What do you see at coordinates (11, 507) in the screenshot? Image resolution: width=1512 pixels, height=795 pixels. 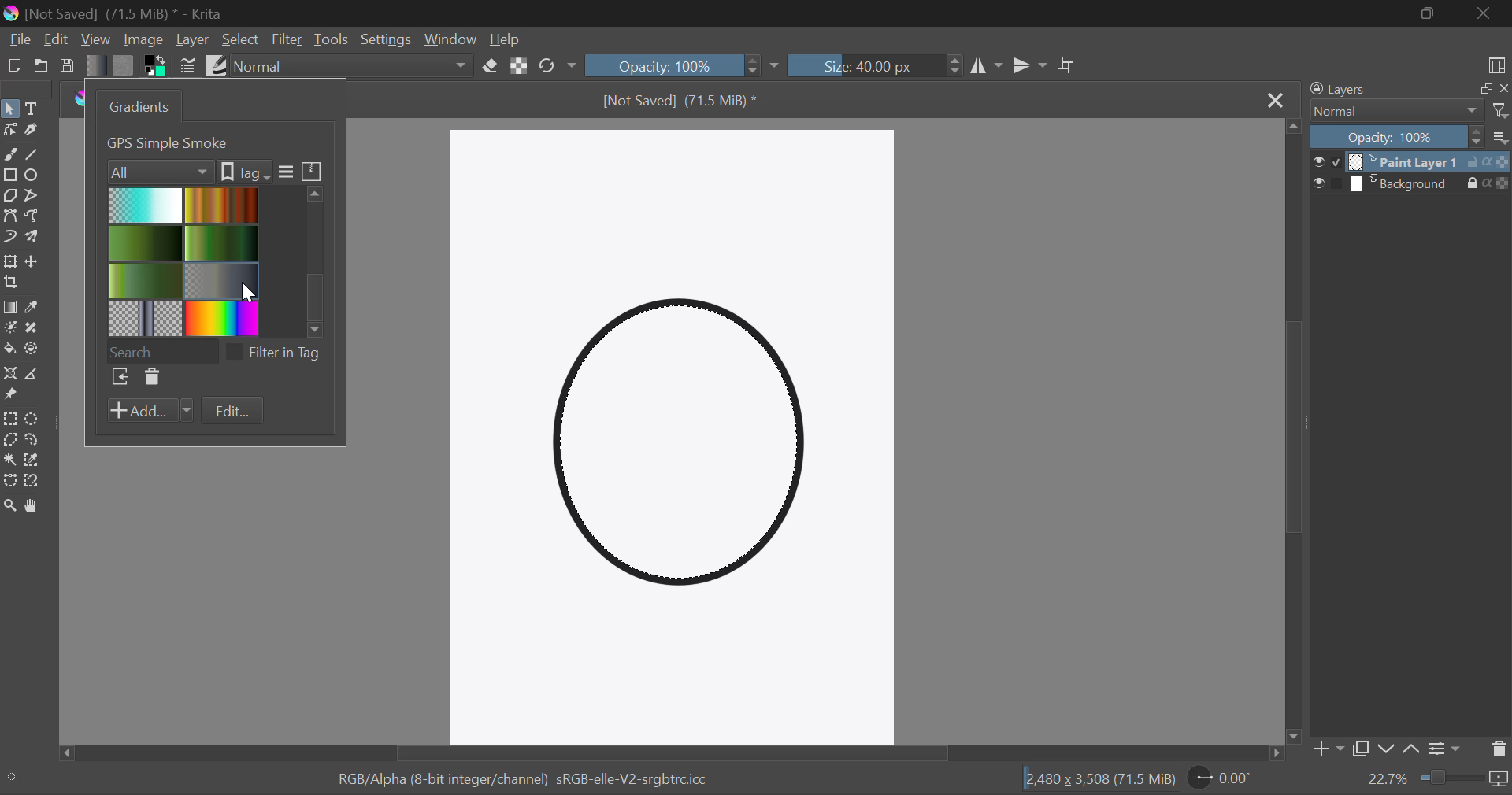 I see `Zoom` at bounding box center [11, 507].